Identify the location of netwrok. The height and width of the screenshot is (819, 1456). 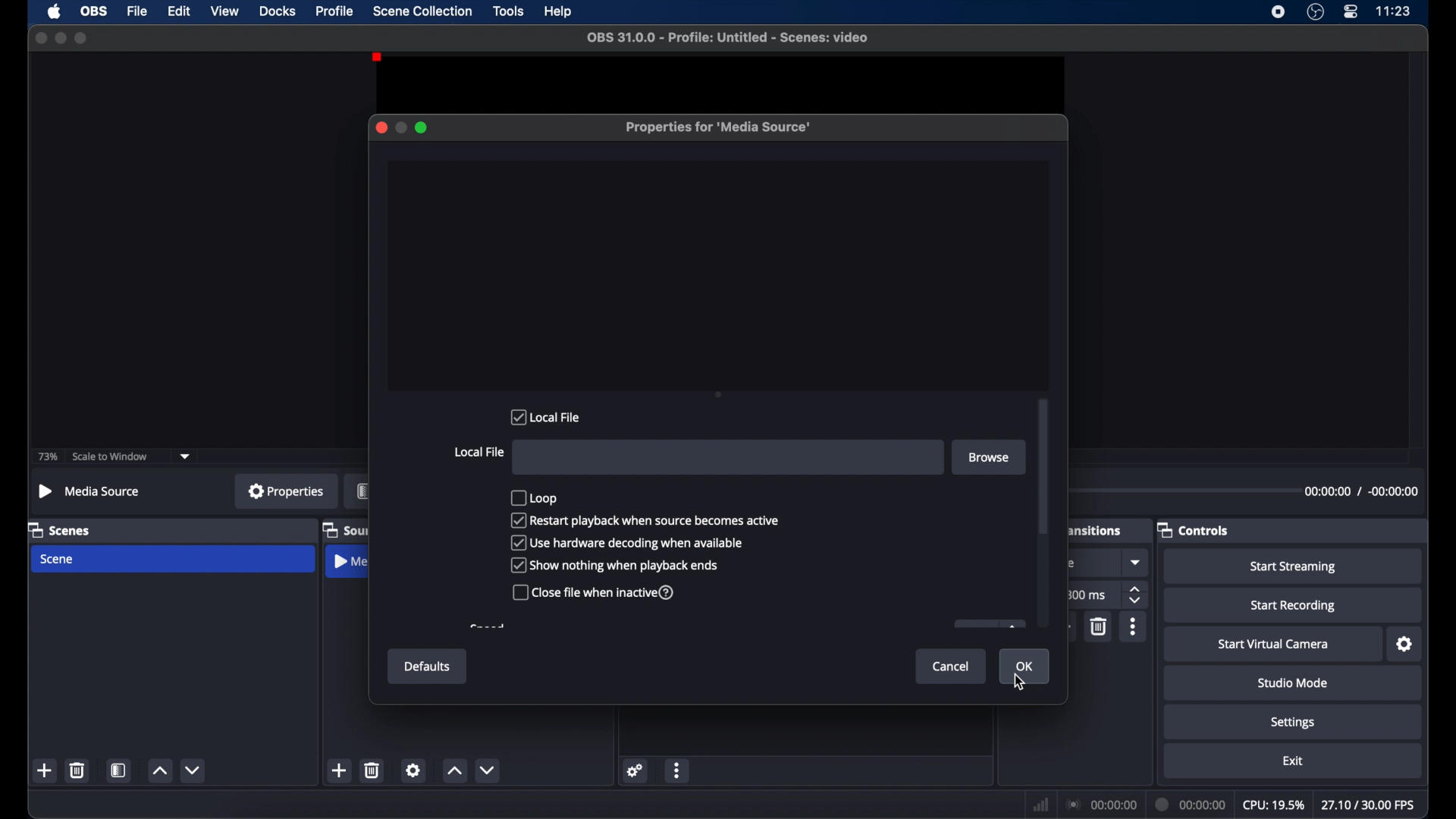
(1040, 805).